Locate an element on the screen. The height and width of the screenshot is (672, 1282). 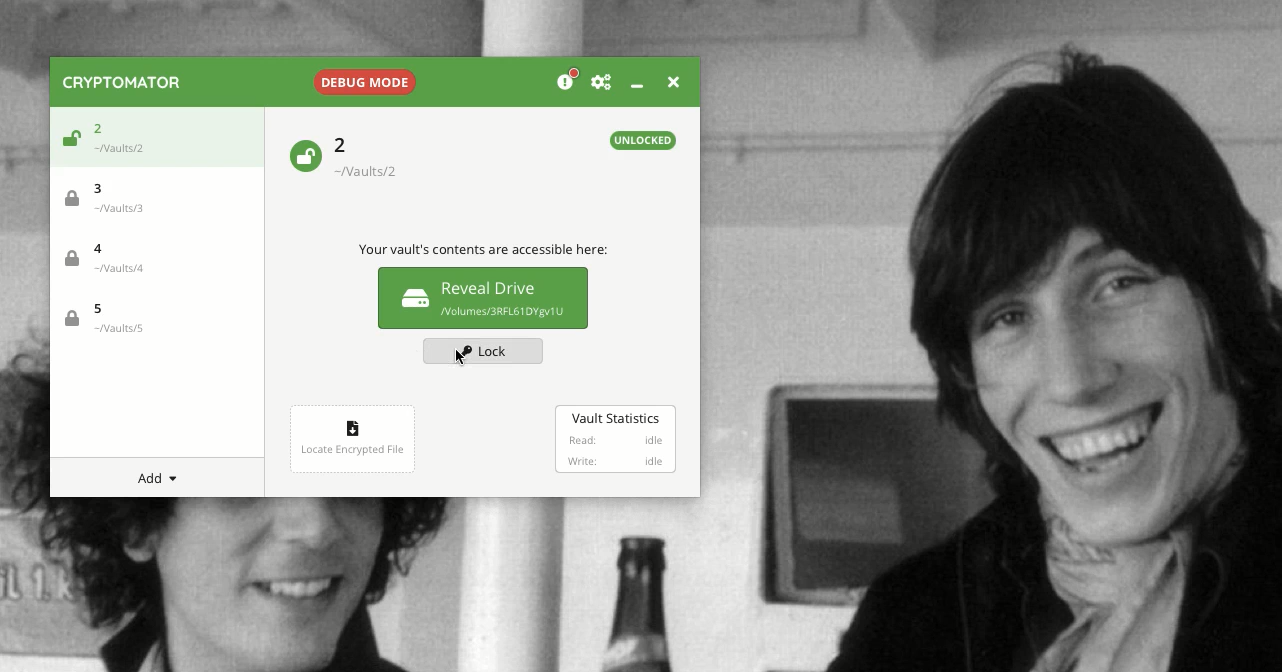
Unlocked is located at coordinates (304, 154).